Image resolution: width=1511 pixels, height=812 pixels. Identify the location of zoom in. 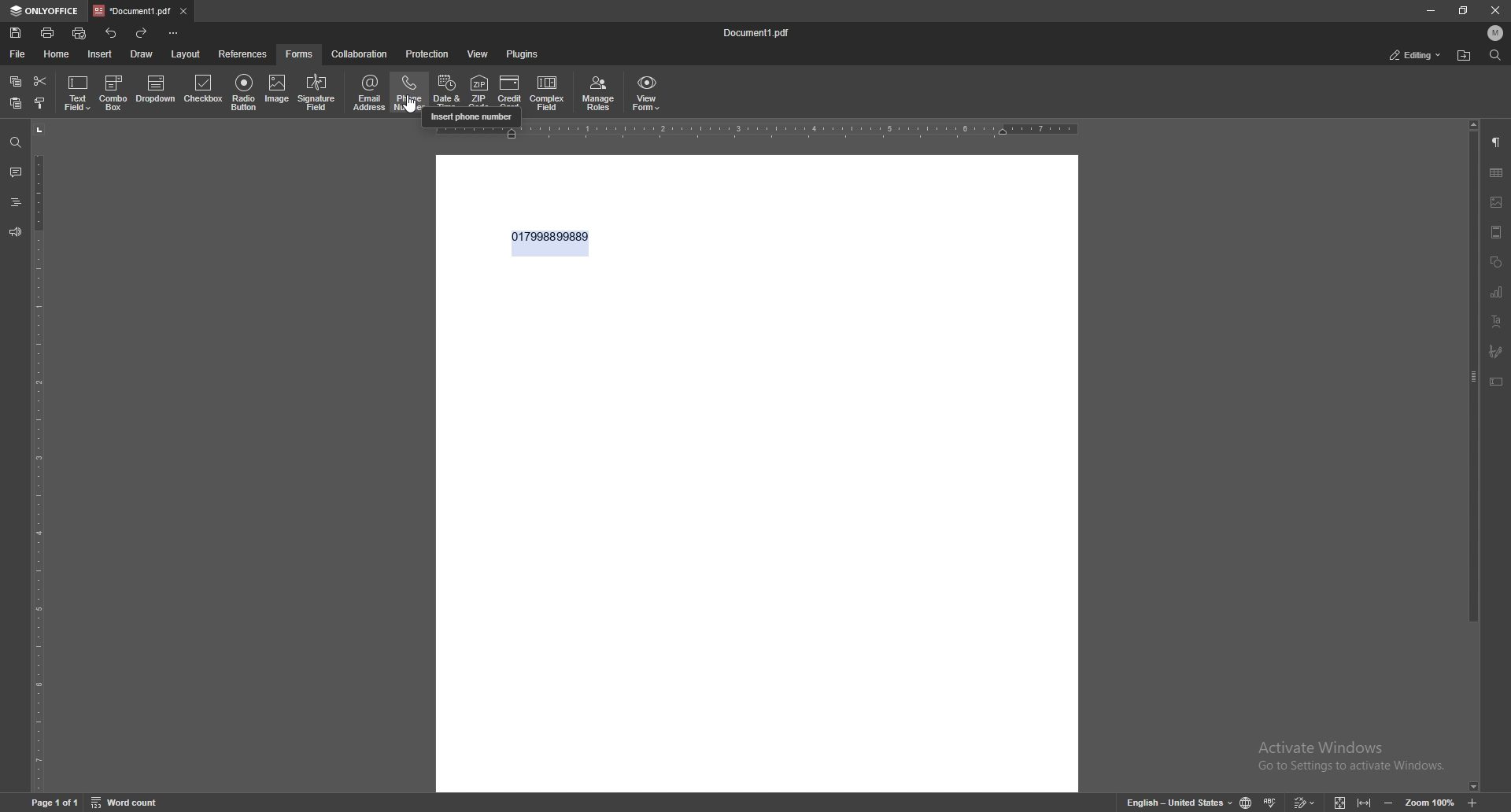
(1472, 804).